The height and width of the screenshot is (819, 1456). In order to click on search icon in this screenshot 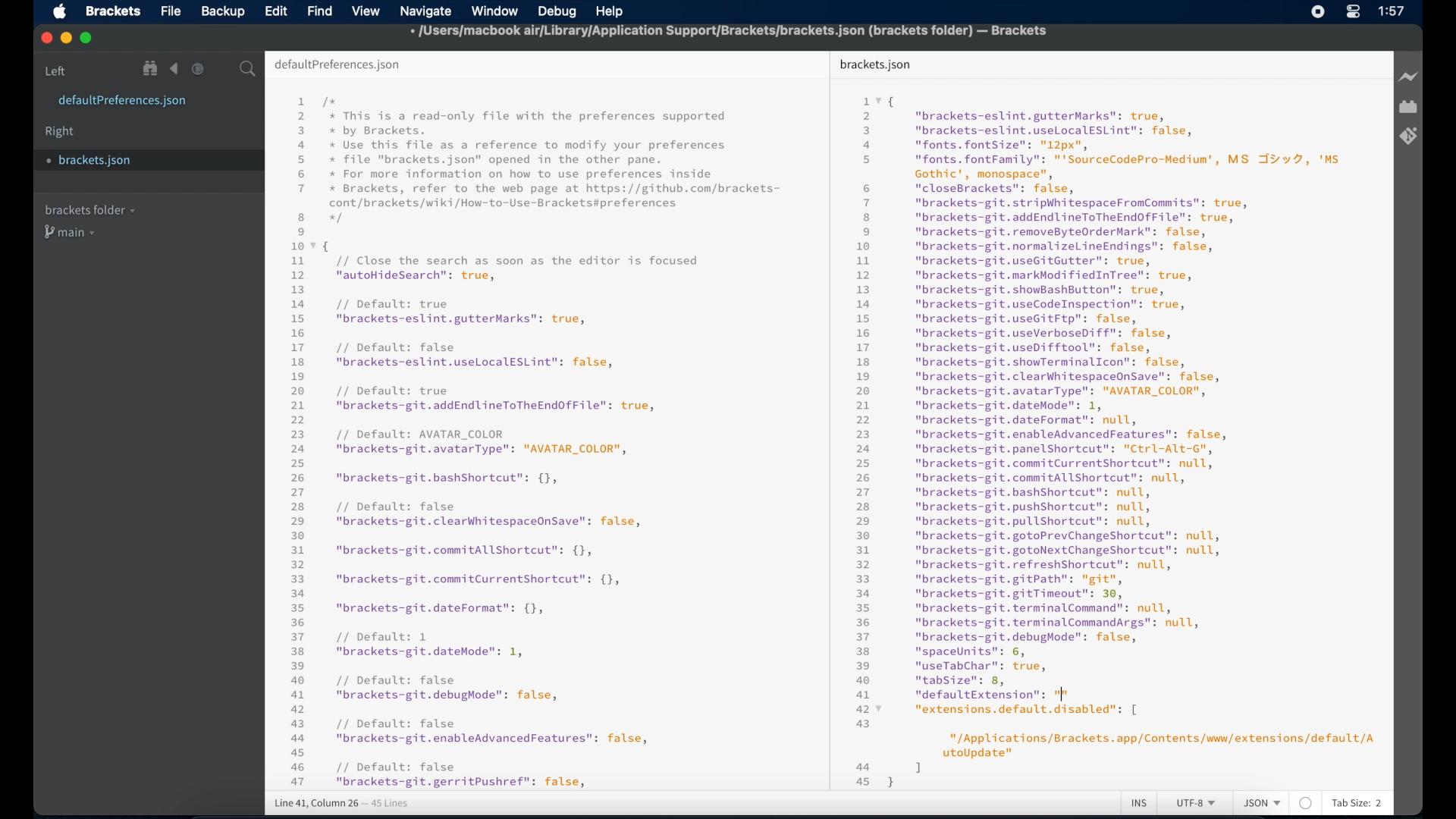, I will do `click(250, 70)`.